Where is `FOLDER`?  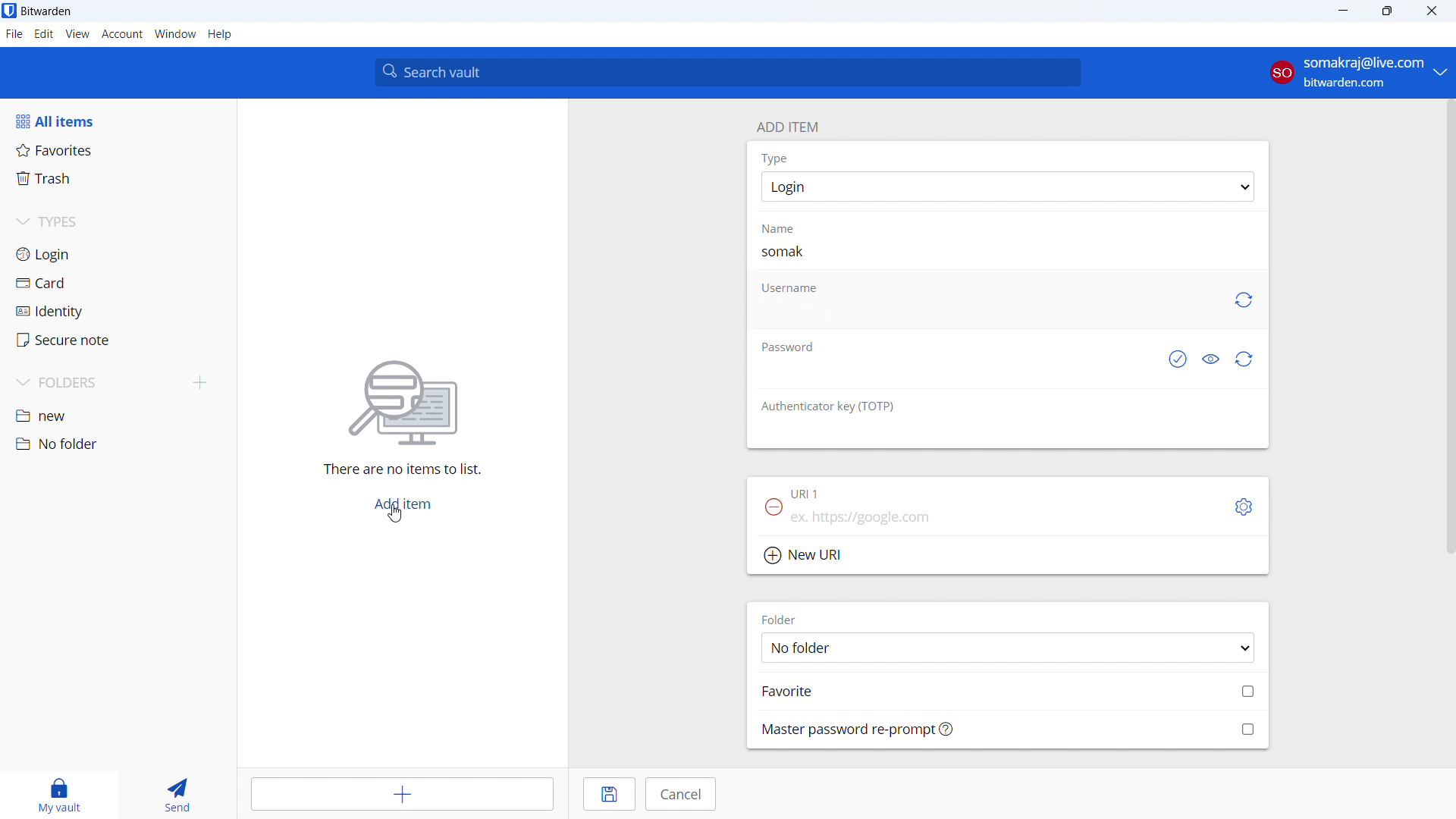
FOLDER is located at coordinates (783, 619).